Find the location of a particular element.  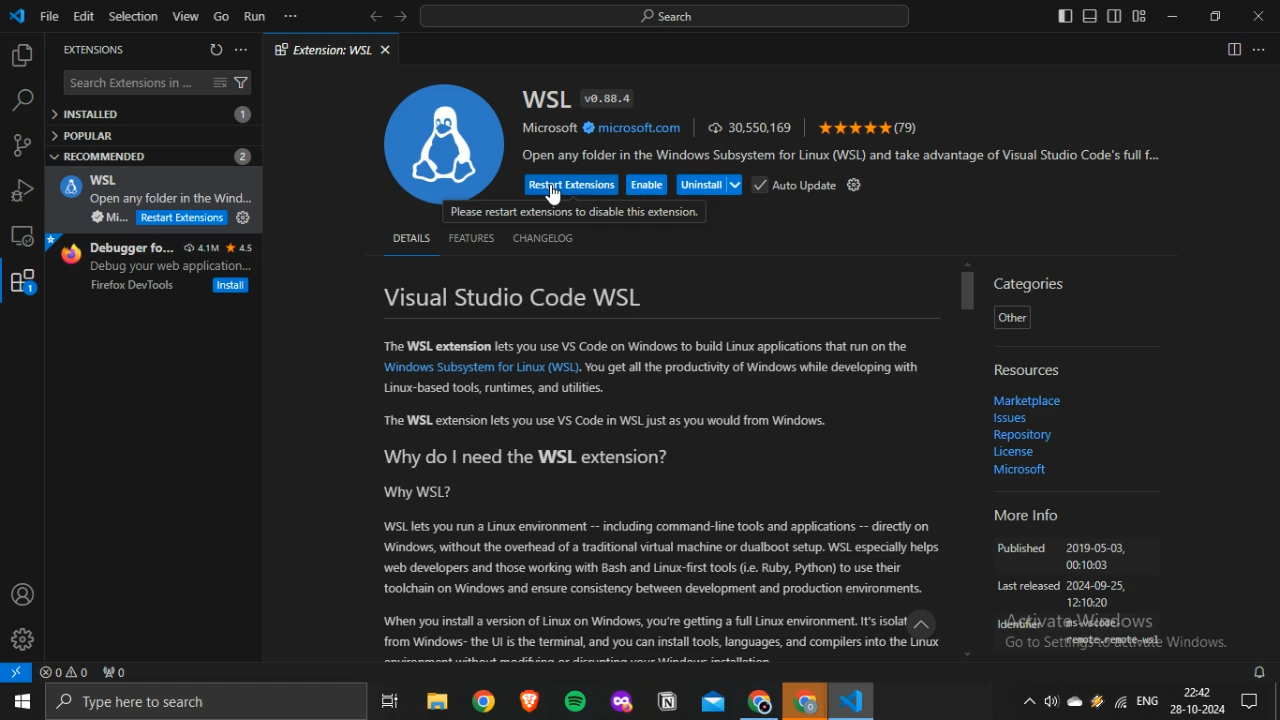

explorer is located at coordinates (21, 56).